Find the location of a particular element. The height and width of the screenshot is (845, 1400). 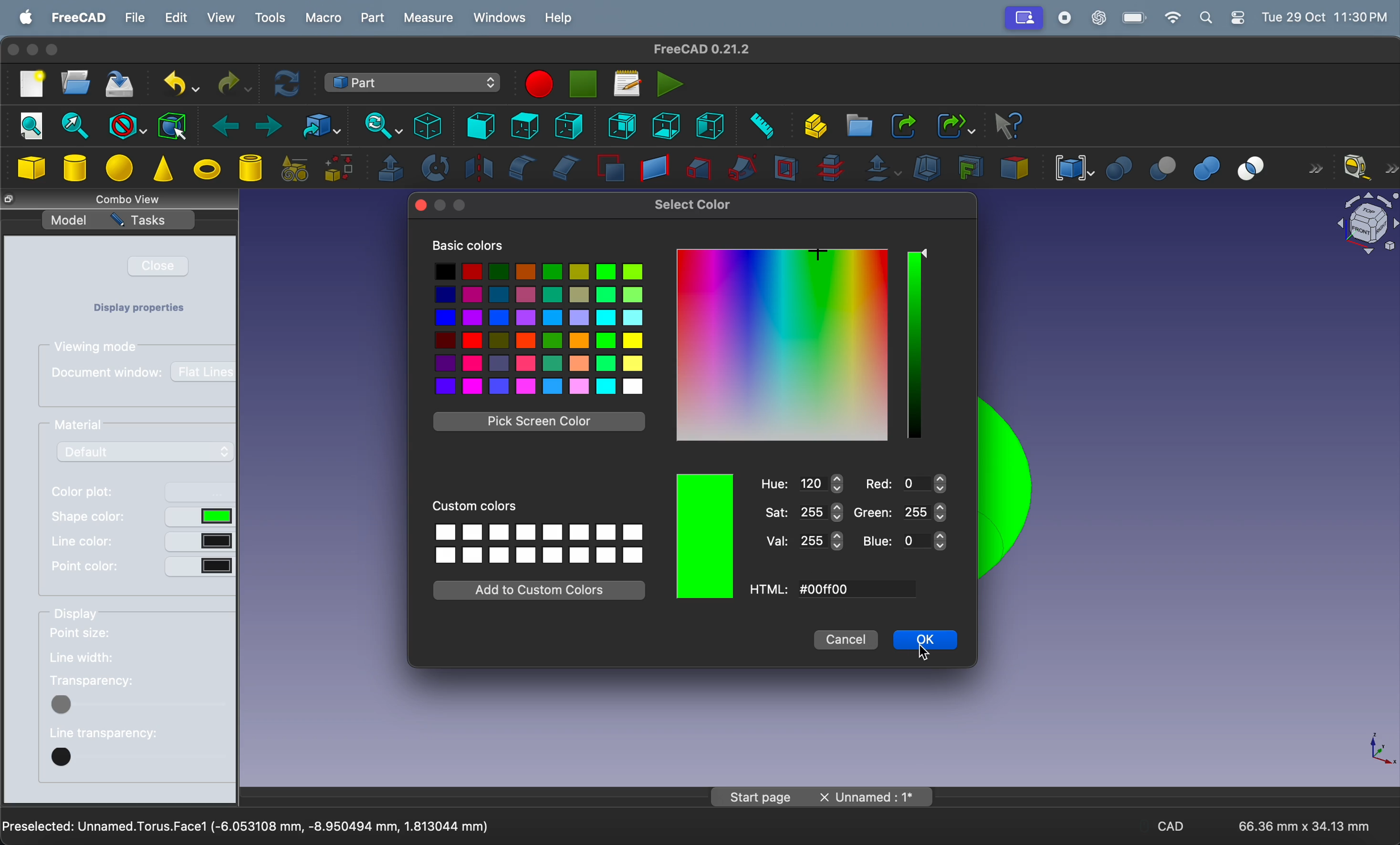

new is located at coordinates (28, 85).